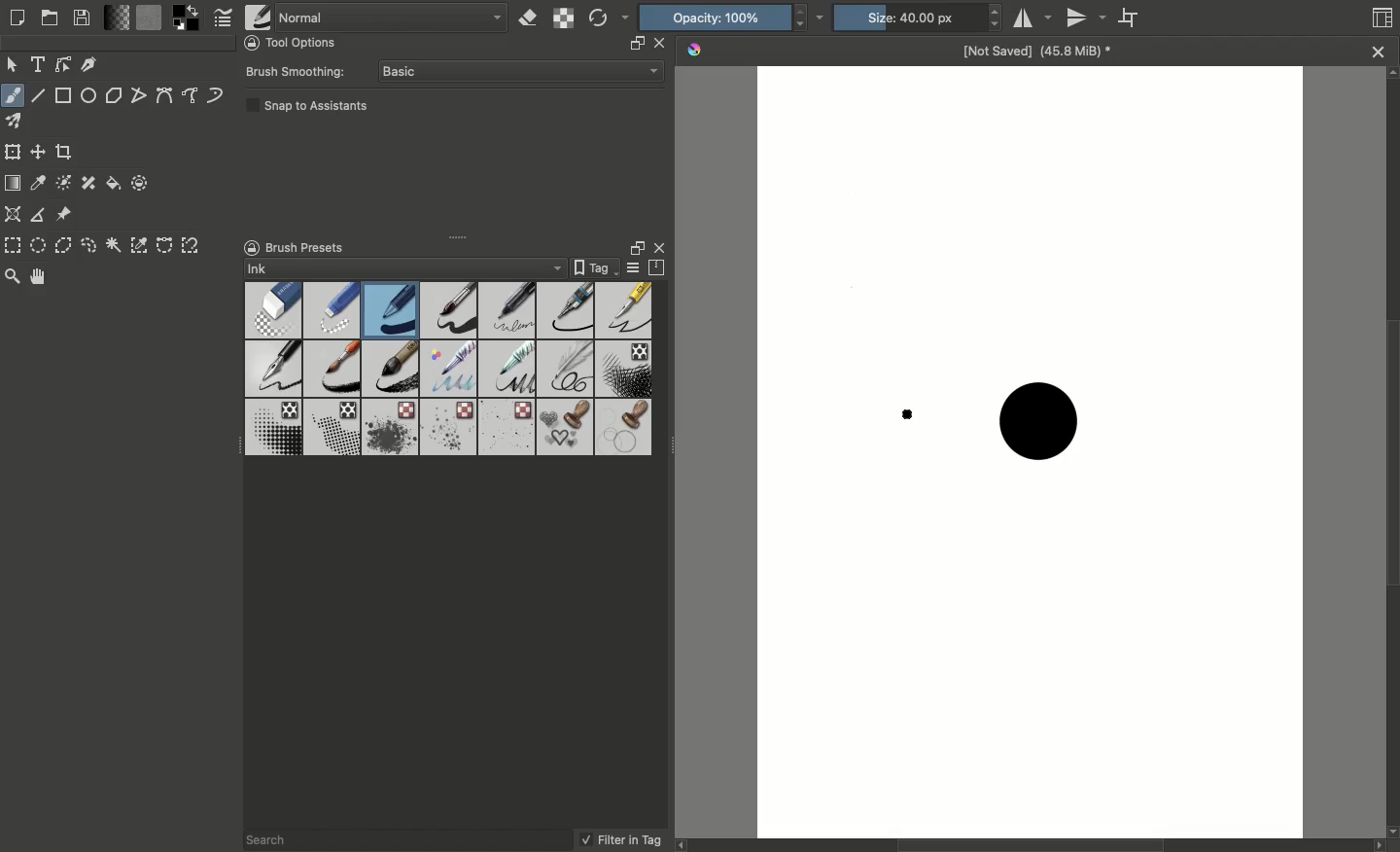 This screenshot has width=1400, height=852. What do you see at coordinates (319, 246) in the screenshot?
I see `Brush presets` at bounding box center [319, 246].